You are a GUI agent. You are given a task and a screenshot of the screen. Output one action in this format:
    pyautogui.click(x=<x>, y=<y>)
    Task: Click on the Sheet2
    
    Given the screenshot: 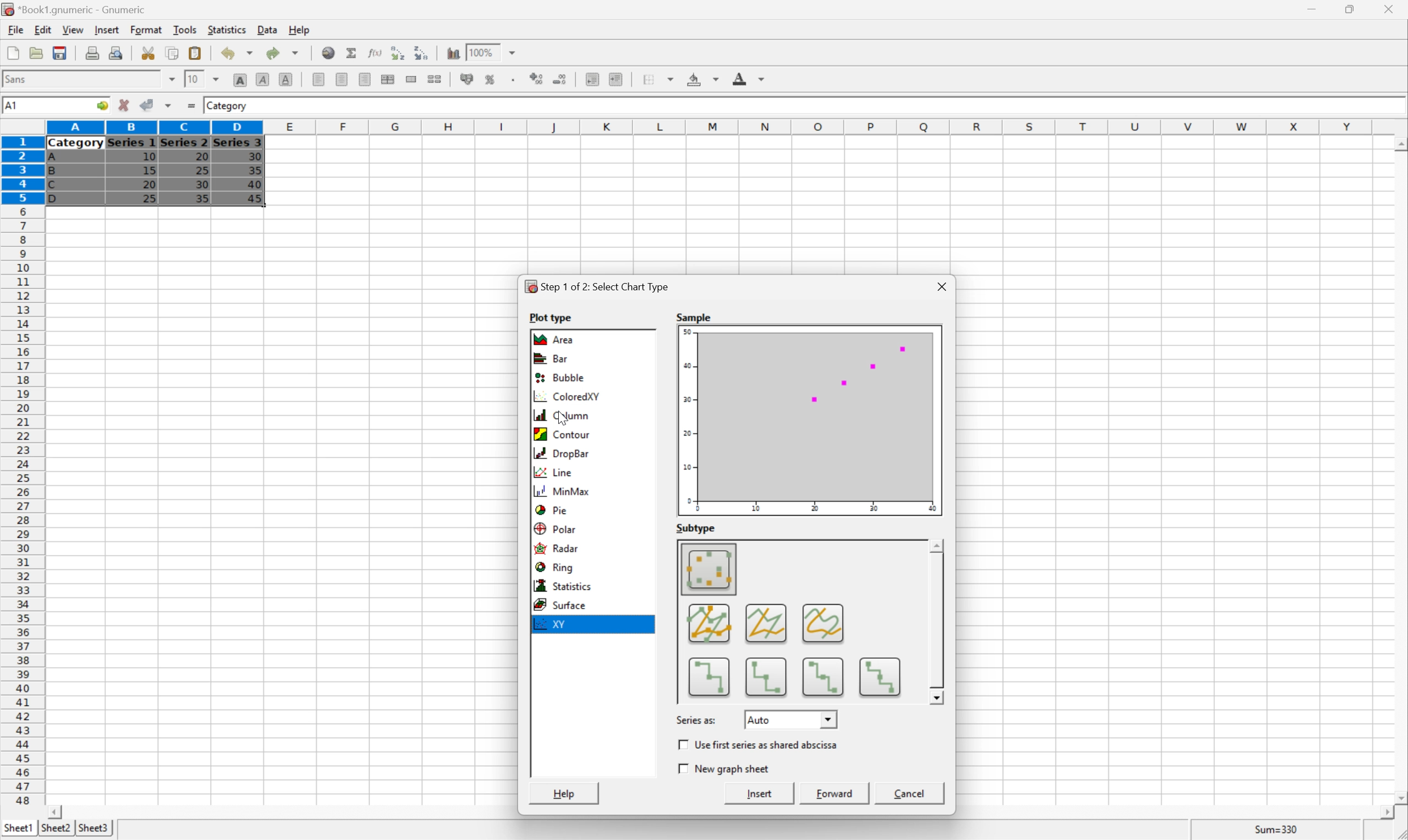 What is the action you would take?
    pyautogui.click(x=55, y=828)
    